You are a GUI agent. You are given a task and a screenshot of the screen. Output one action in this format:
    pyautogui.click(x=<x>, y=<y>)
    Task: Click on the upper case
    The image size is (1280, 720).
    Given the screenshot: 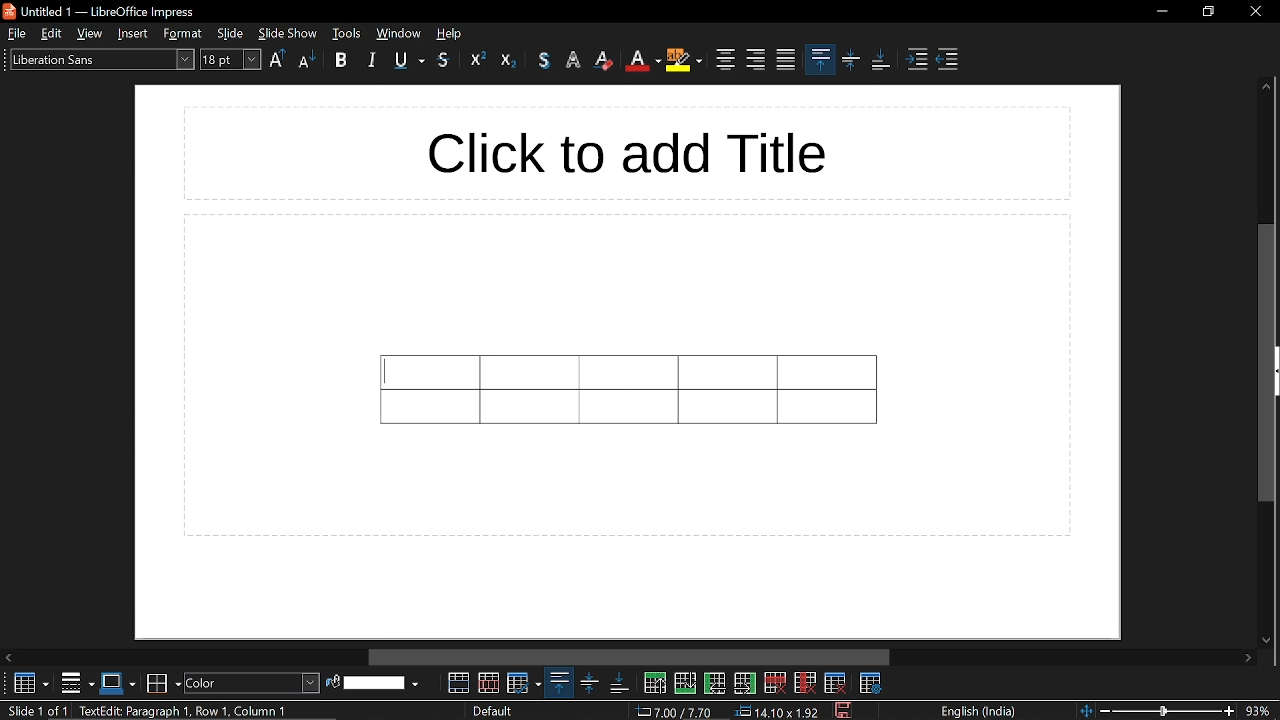 What is the action you would take?
    pyautogui.click(x=277, y=58)
    